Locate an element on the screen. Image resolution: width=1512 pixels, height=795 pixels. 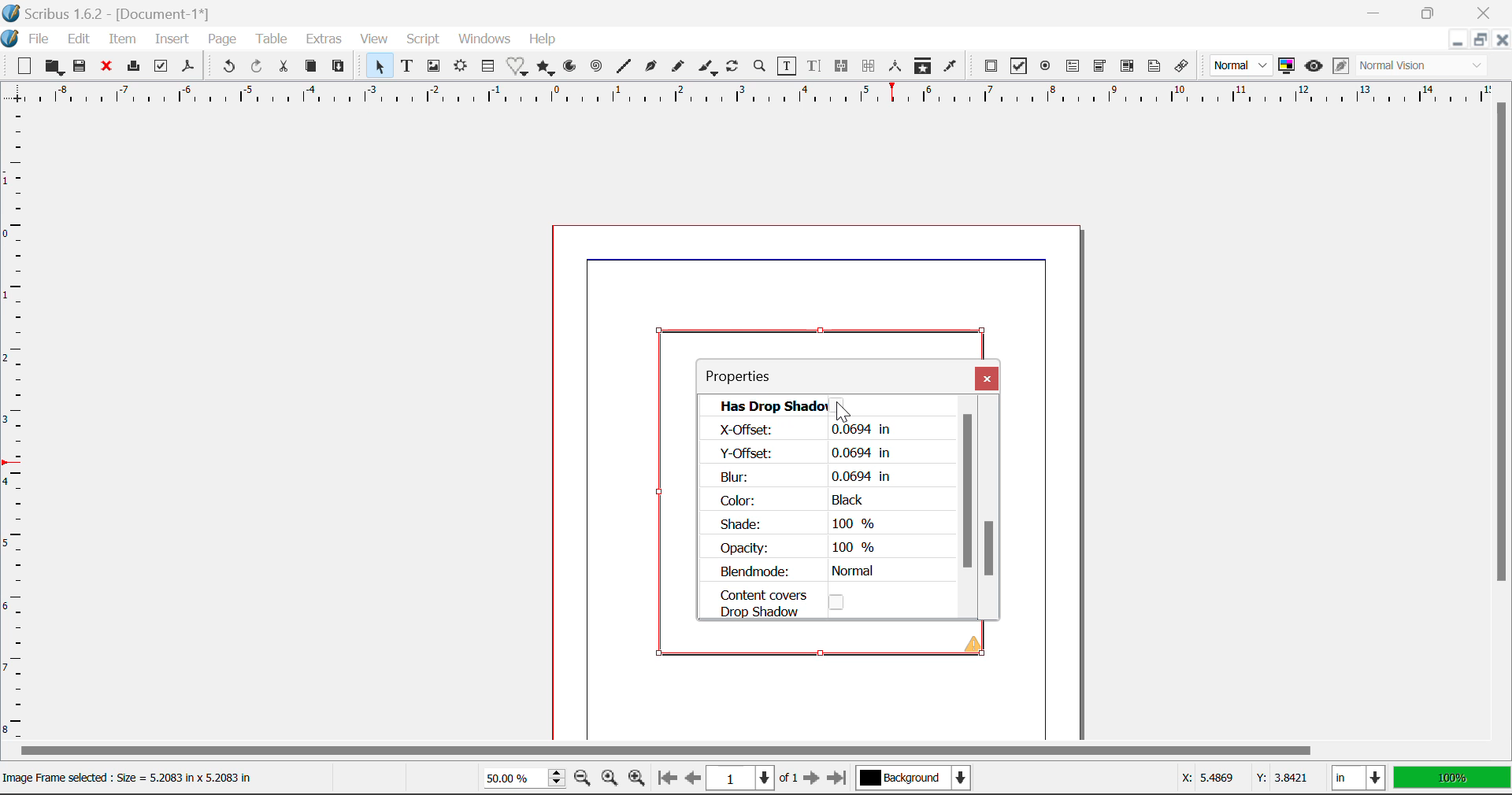
Color: Black is located at coordinates (795, 500).